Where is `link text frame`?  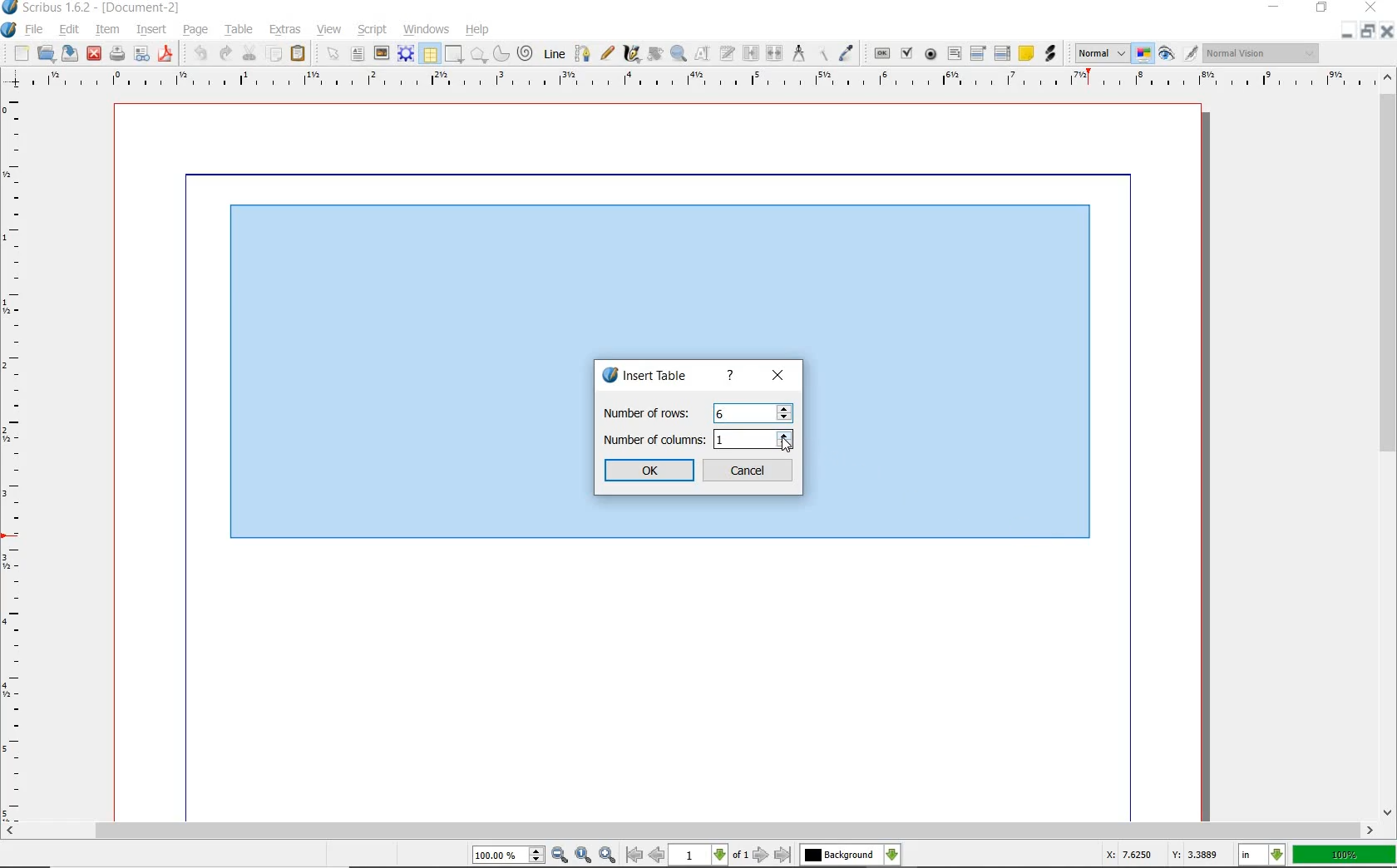 link text frame is located at coordinates (749, 54).